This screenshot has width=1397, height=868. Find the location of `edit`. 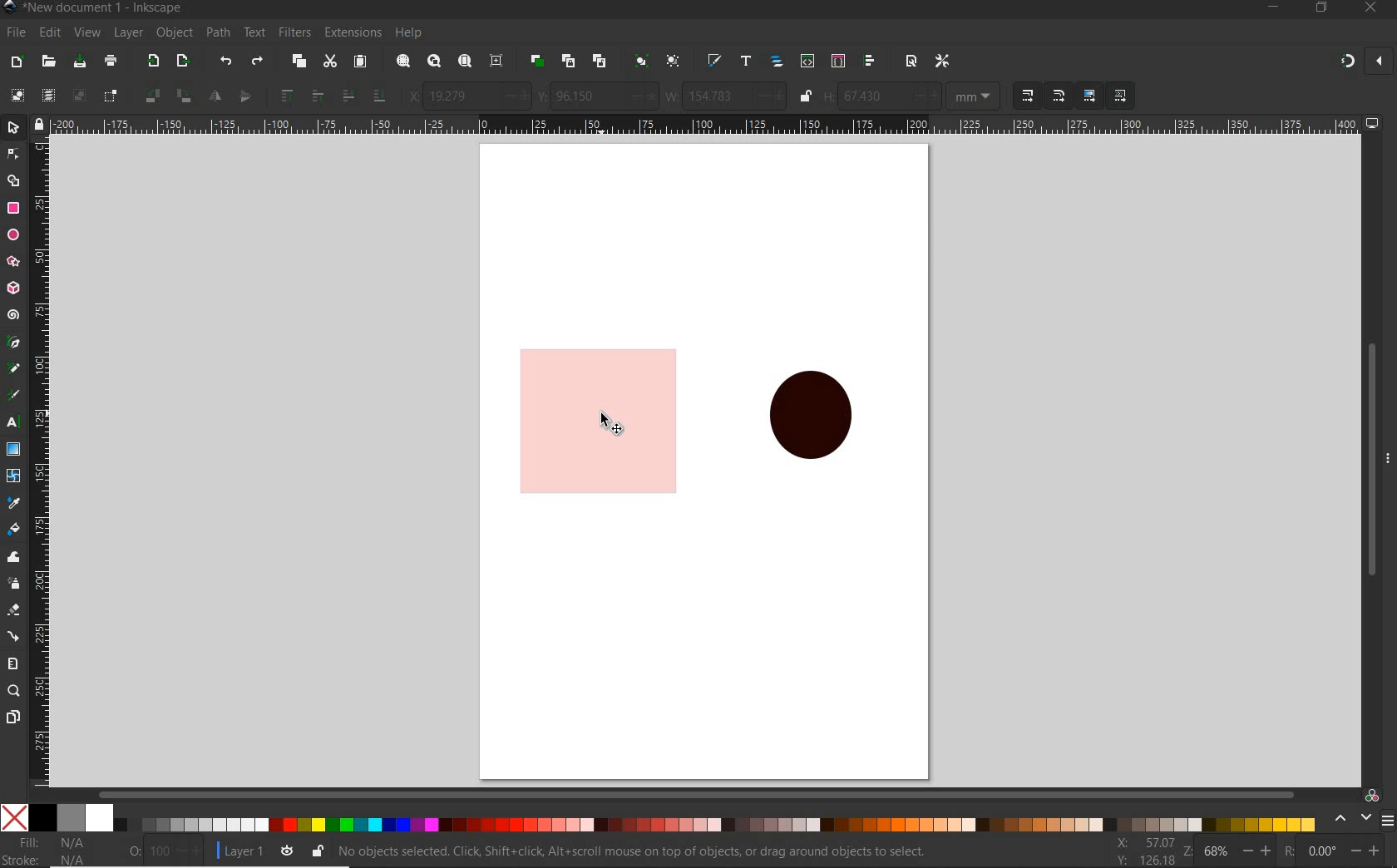

edit is located at coordinates (50, 33).